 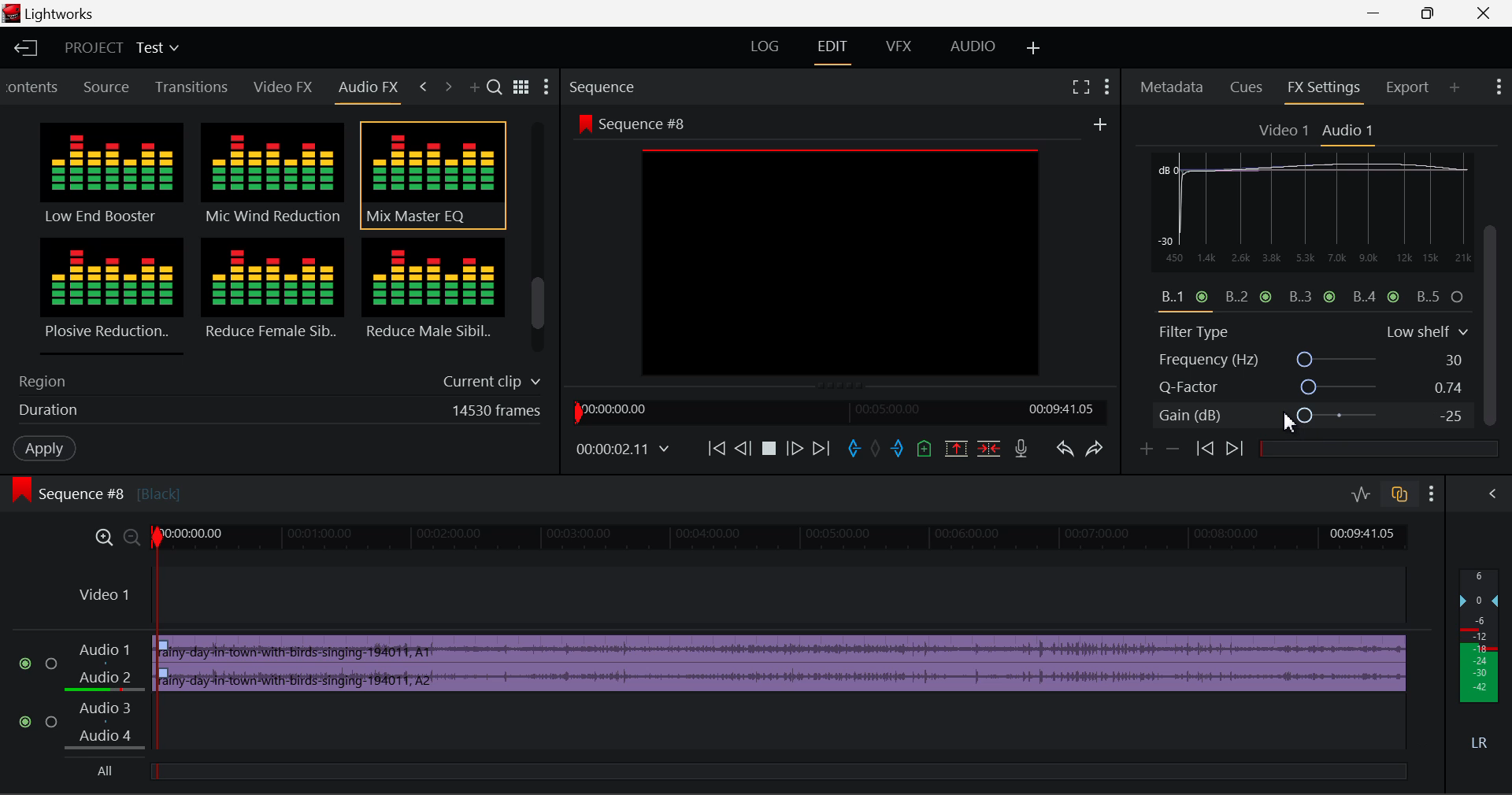 I want to click on Add Layout, so click(x=1031, y=47).